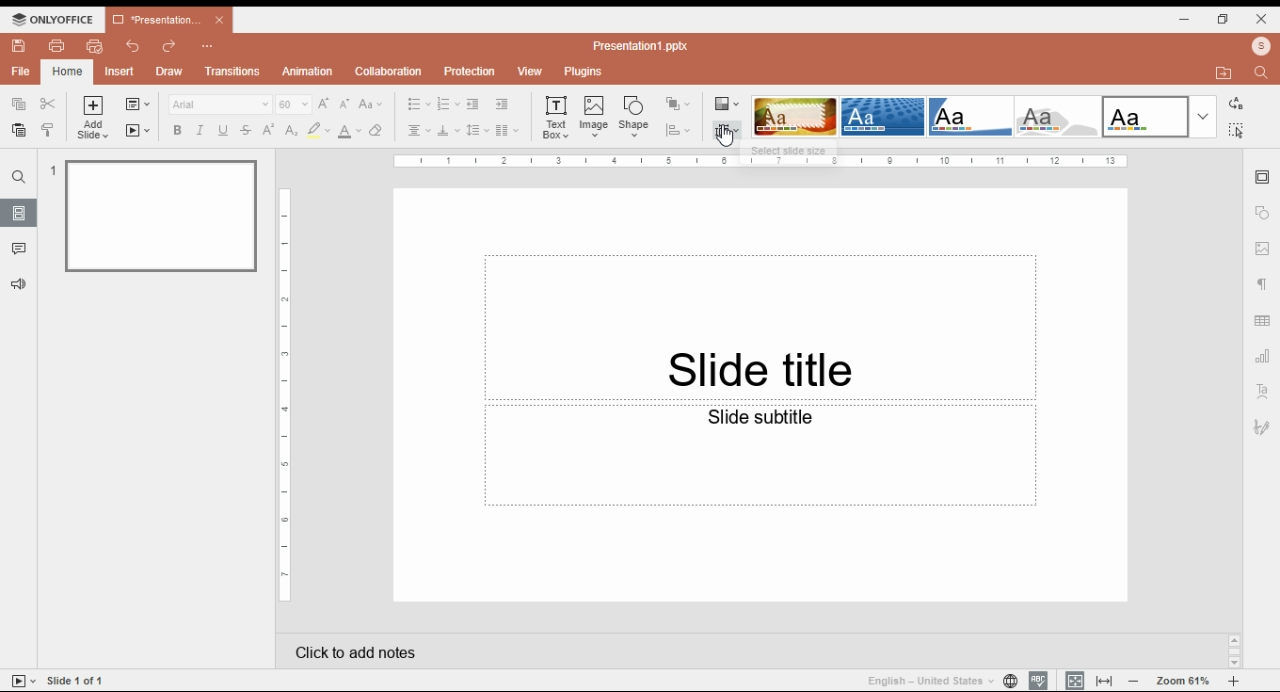  What do you see at coordinates (1061, 117) in the screenshot?
I see `slide them option` at bounding box center [1061, 117].